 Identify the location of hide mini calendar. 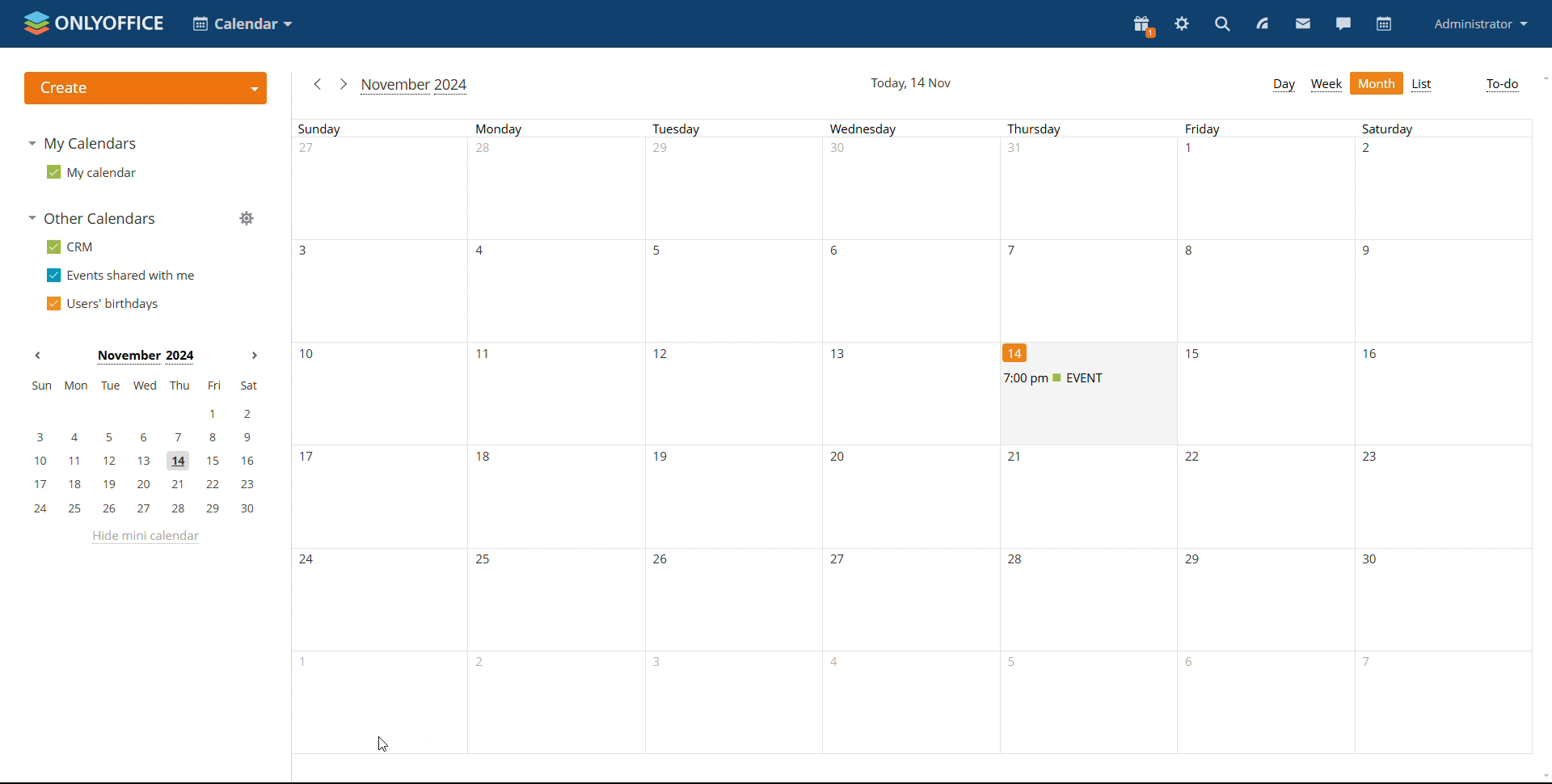
(145, 537).